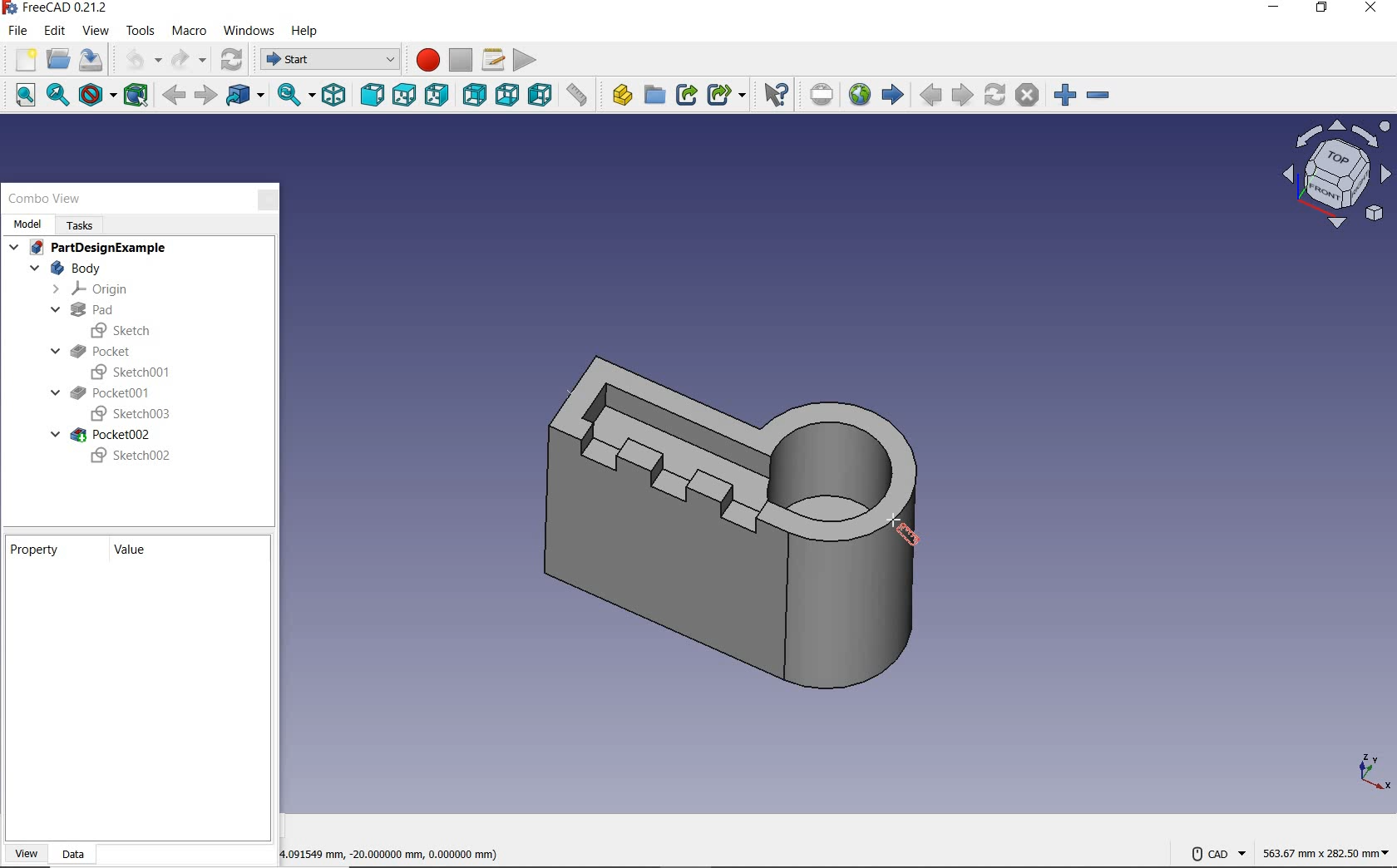 This screenshot has width=1397, height=868. Describe the element at coordinates (725, 96) in the screenshot. I see `make sub-link` at that location.